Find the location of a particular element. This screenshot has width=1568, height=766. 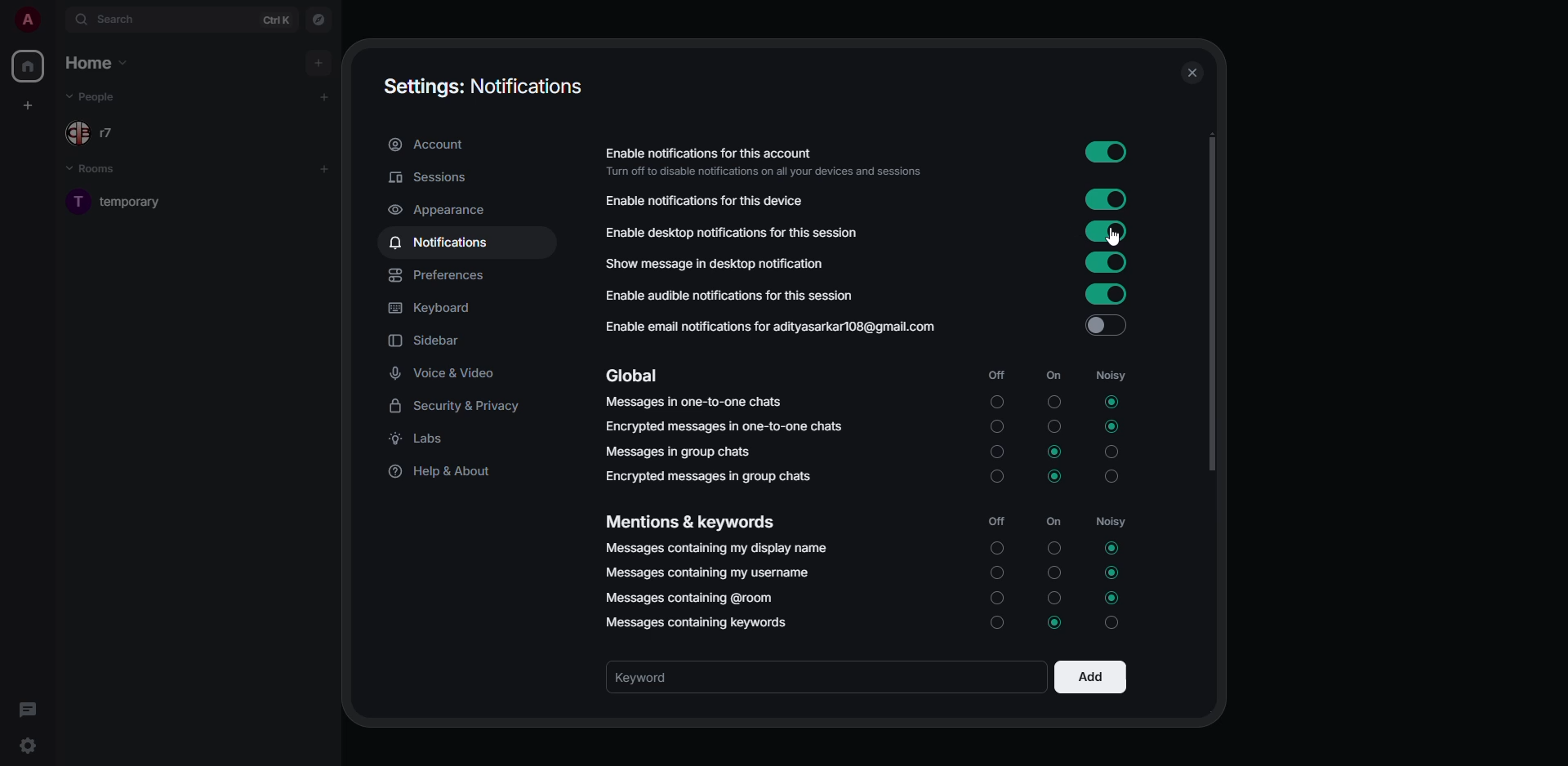

messages containing username is located at coordinates (709, 569).